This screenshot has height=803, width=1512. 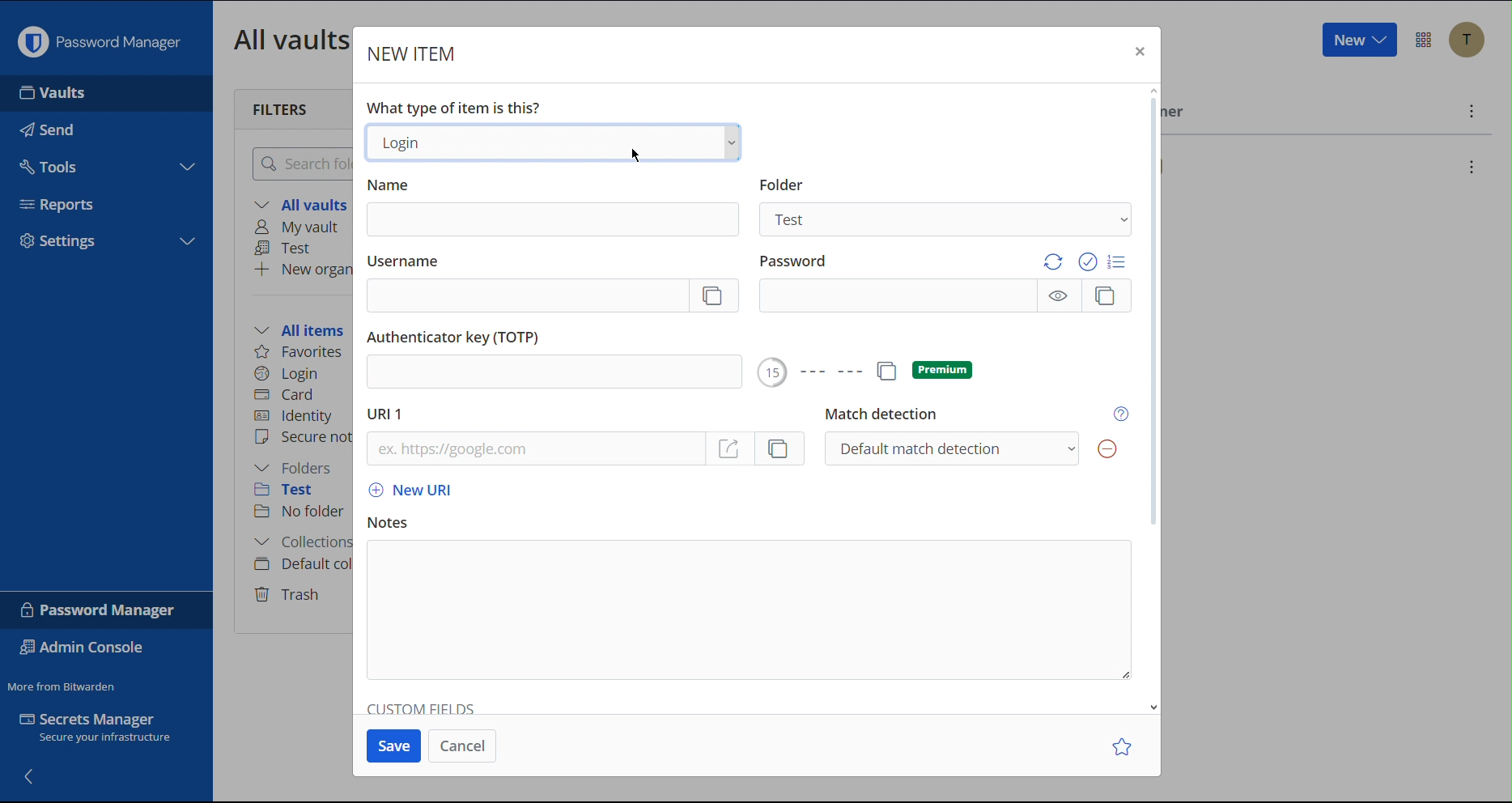 What do you see at coordinates (299, 544) in the screenshot?
I see `Collections` at bounding box center [299, 544].